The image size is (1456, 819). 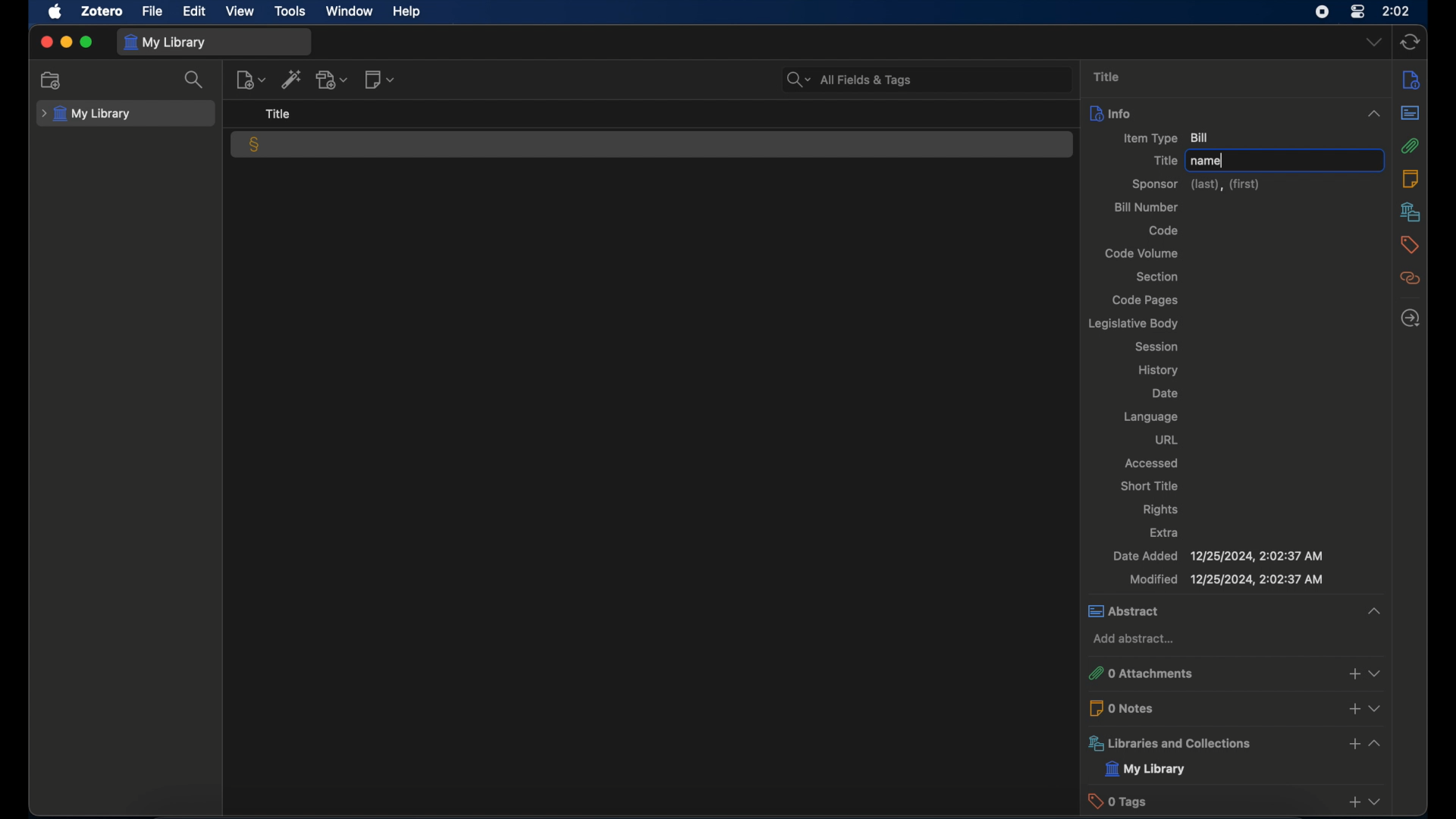 What do you see at coordinates (381, 80) in the screenshot?
I see `new notes` at bounding box center [381, 80].